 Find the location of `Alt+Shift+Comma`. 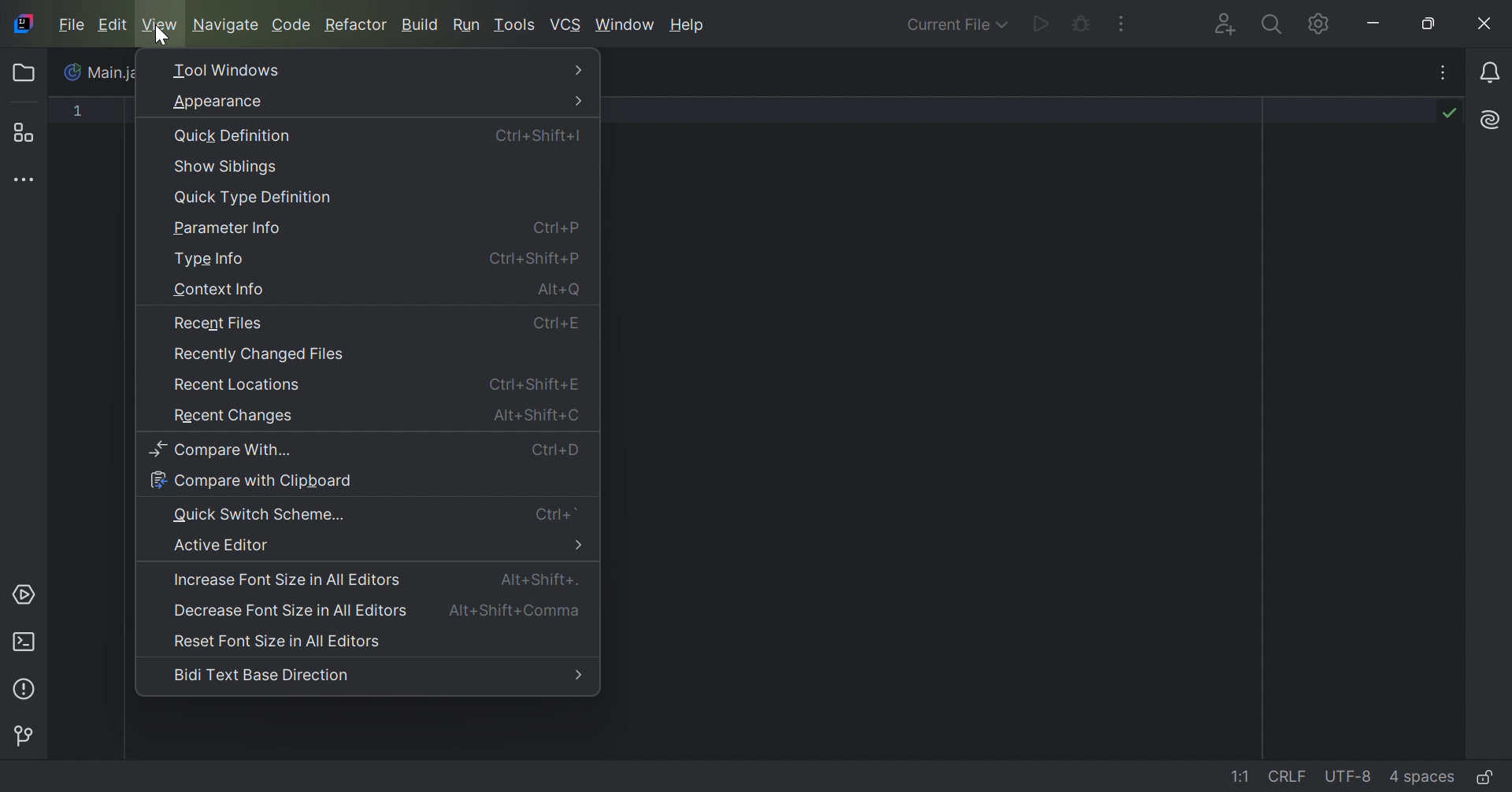

Alt+Shift+Comma is located at coordinates (518, 611).